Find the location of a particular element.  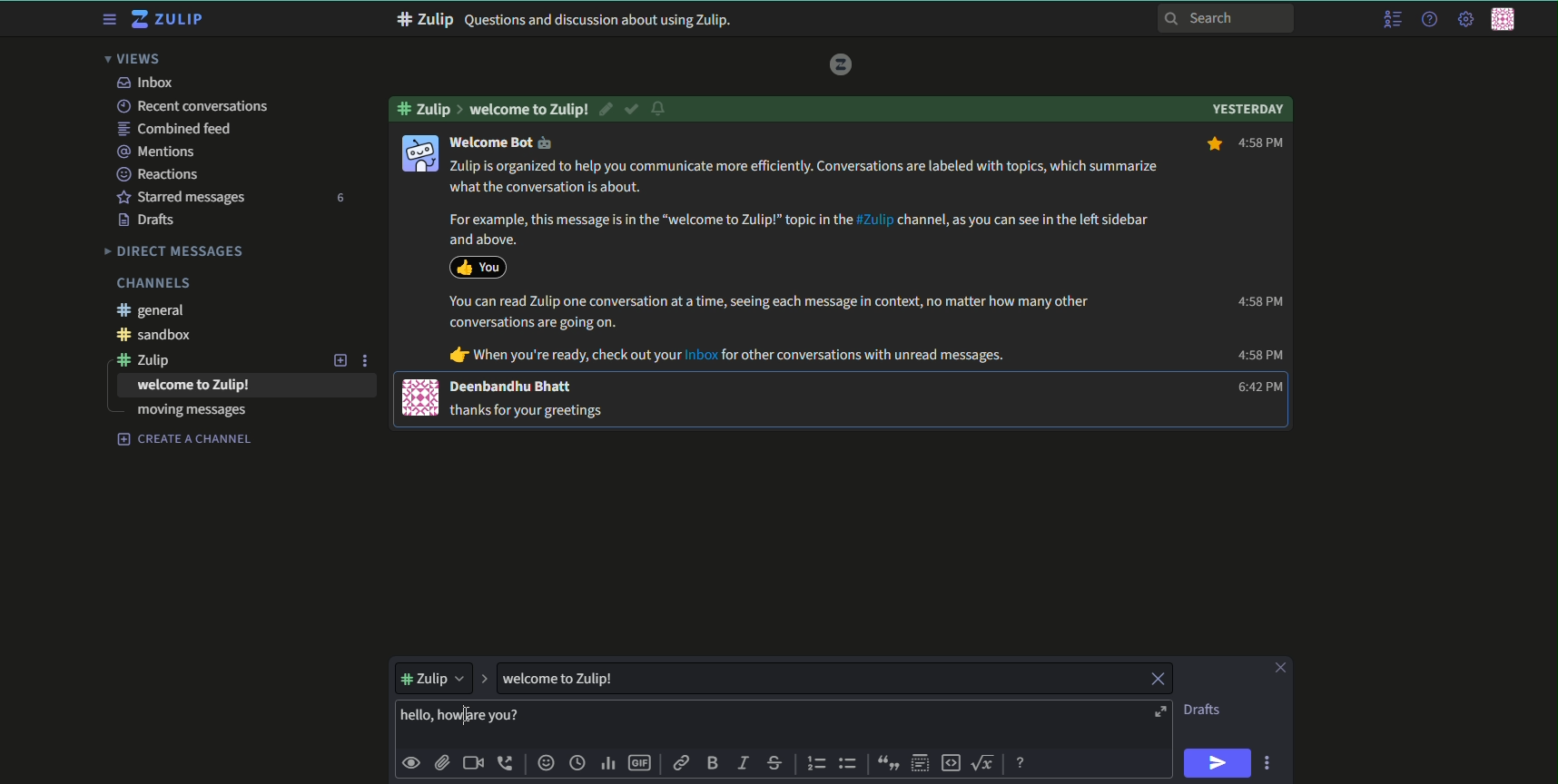

bulleted list is located at coordinates (848, 763).